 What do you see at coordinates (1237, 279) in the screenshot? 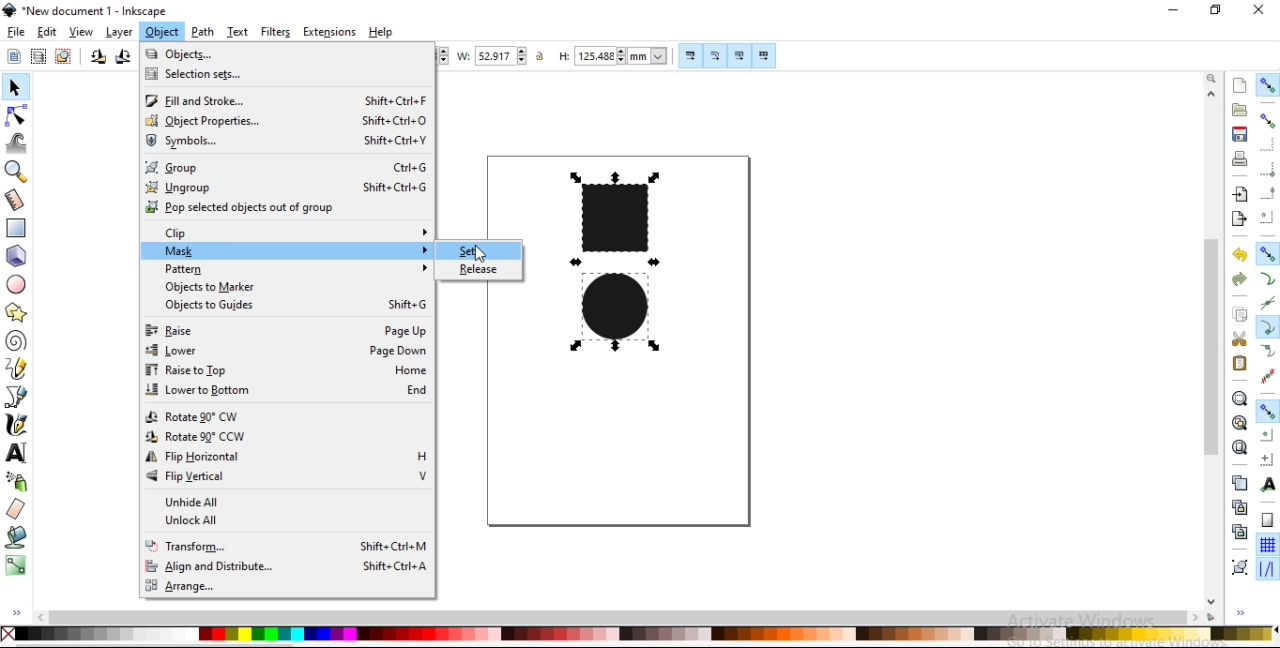
I see `redo` at bounding box center [1237, 279].